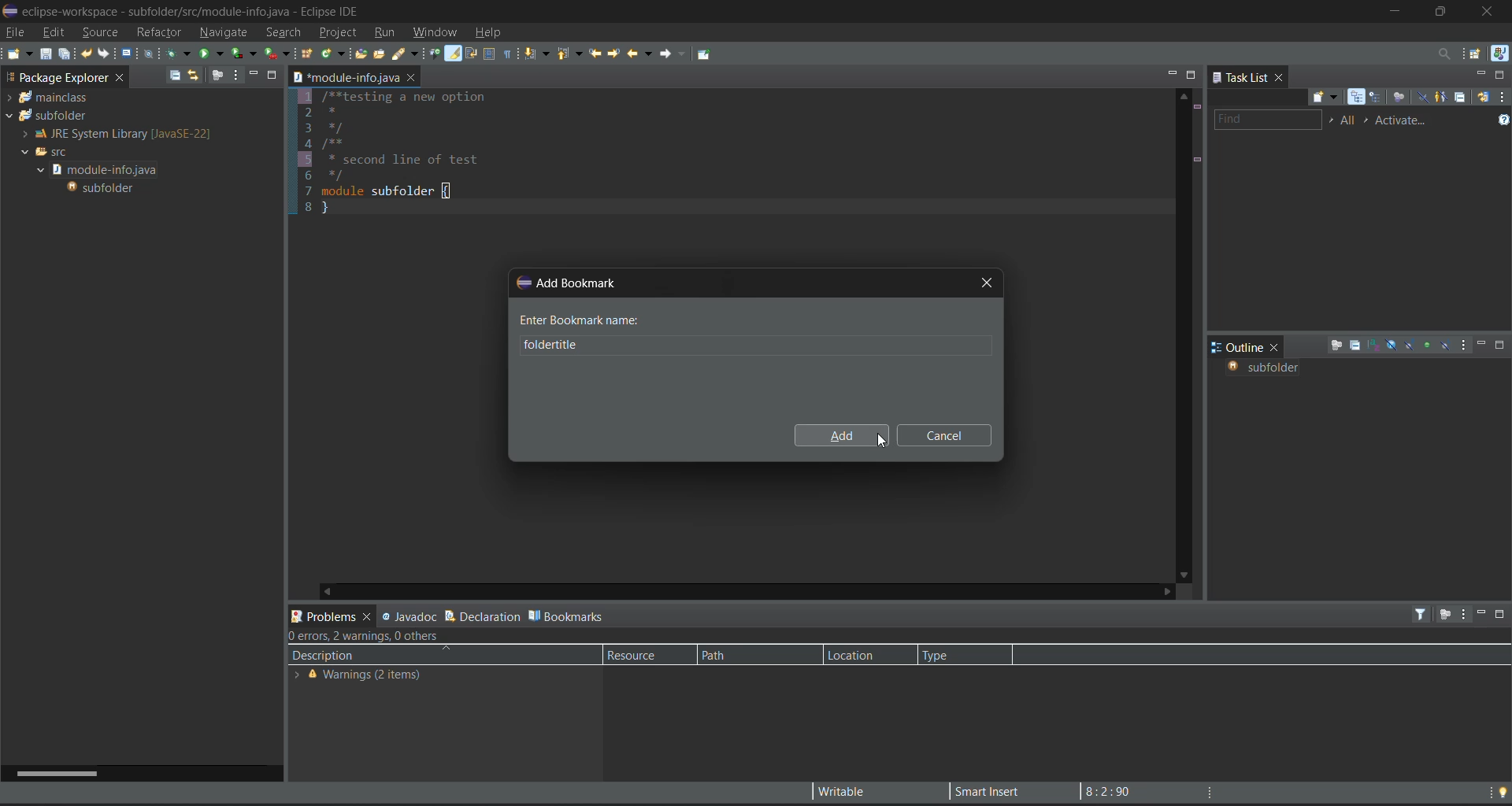 Image resolution: width=1512 pixels, height=806 pixels. What do you see at coordinates (178, 54) in the screenshot?
I see `debug` at bounding box center [178, 54].